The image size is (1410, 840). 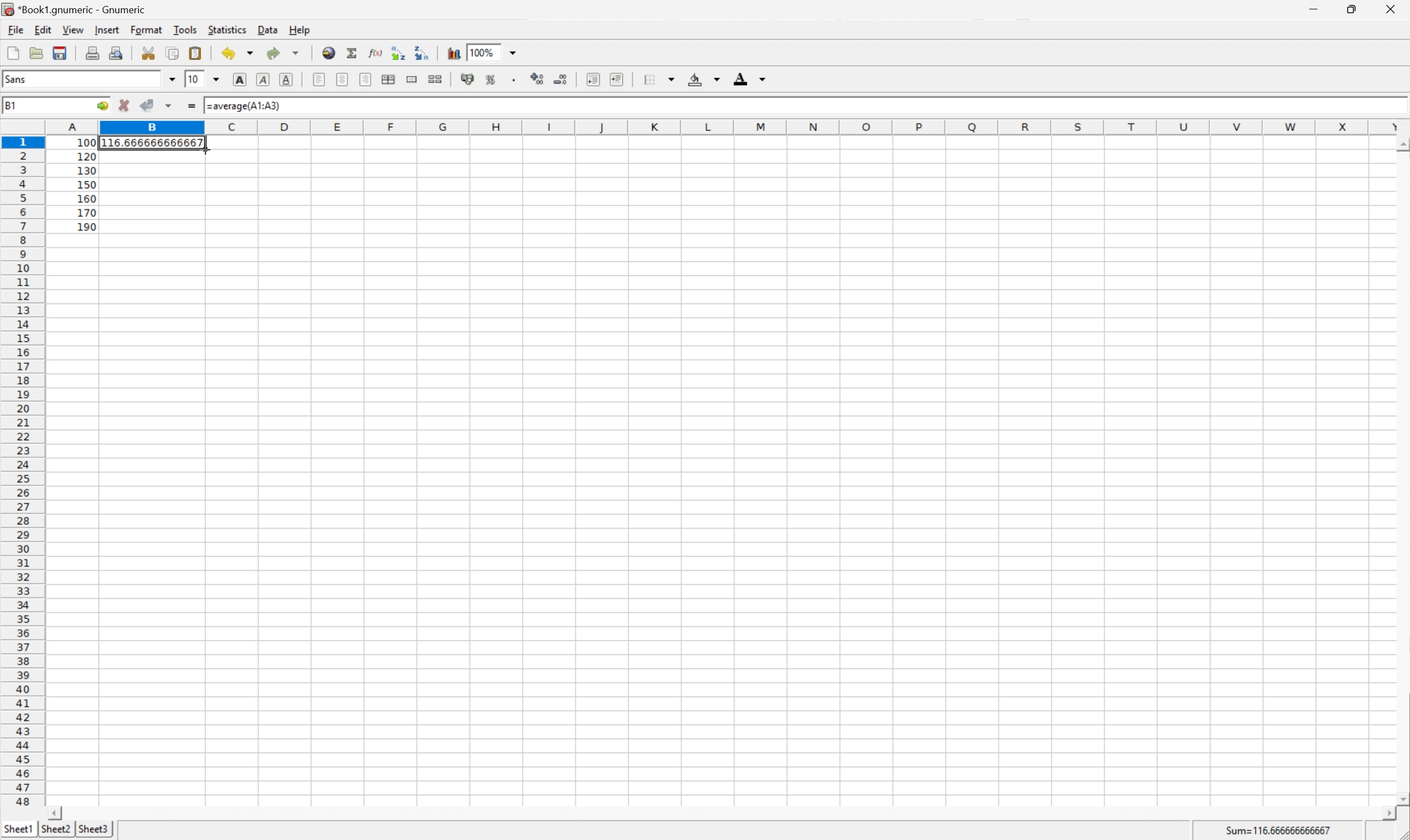 What do you see at coordinates (96, 830) in the screenshot?
I see `Sheet3` at bounding box center [96, 830].